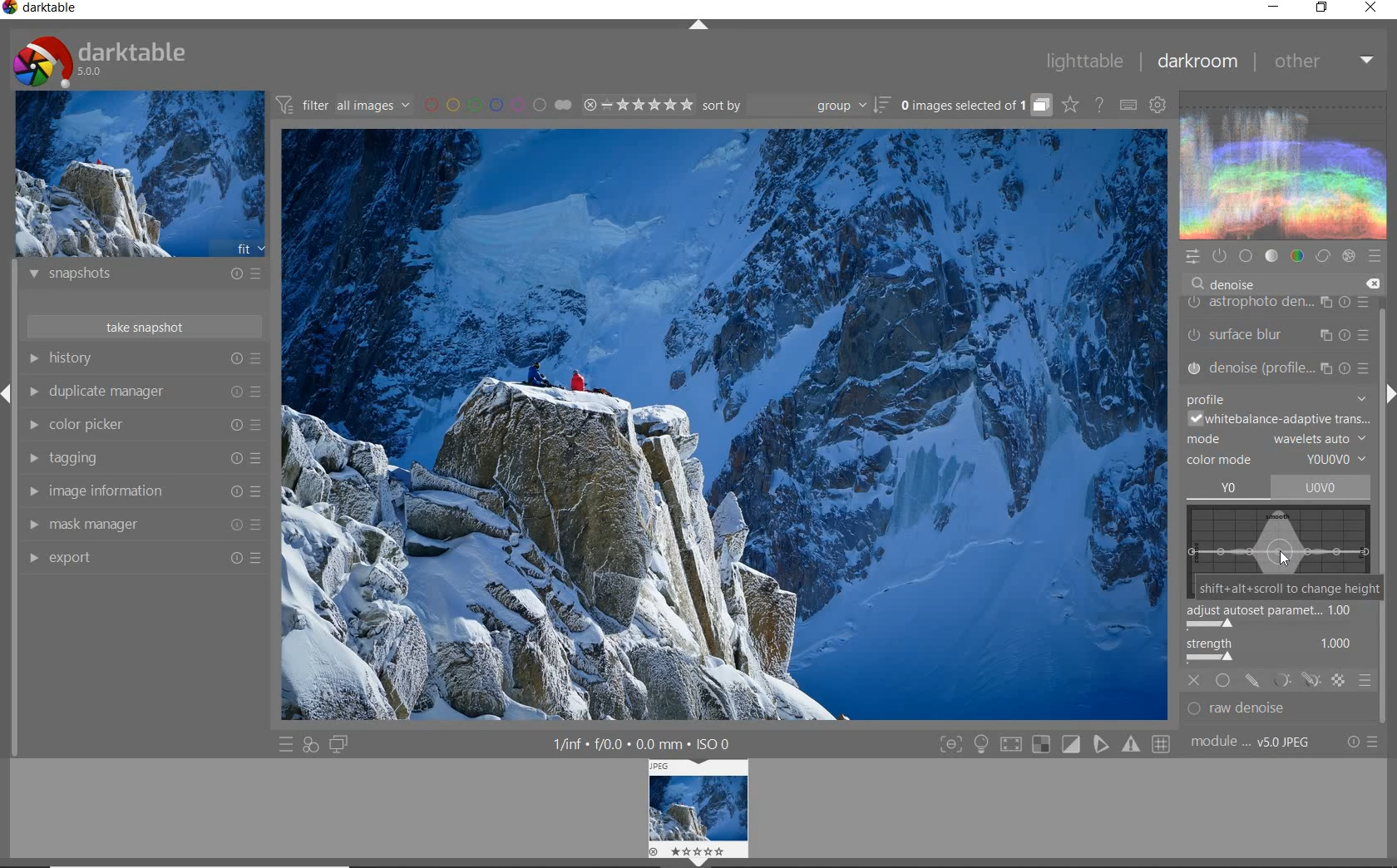 The width and height of the screenshot is (1397, 868). What do you see at coordinates (1322, 255) in the screenshot?
I see `correct` at bounding box center [1322, 255].